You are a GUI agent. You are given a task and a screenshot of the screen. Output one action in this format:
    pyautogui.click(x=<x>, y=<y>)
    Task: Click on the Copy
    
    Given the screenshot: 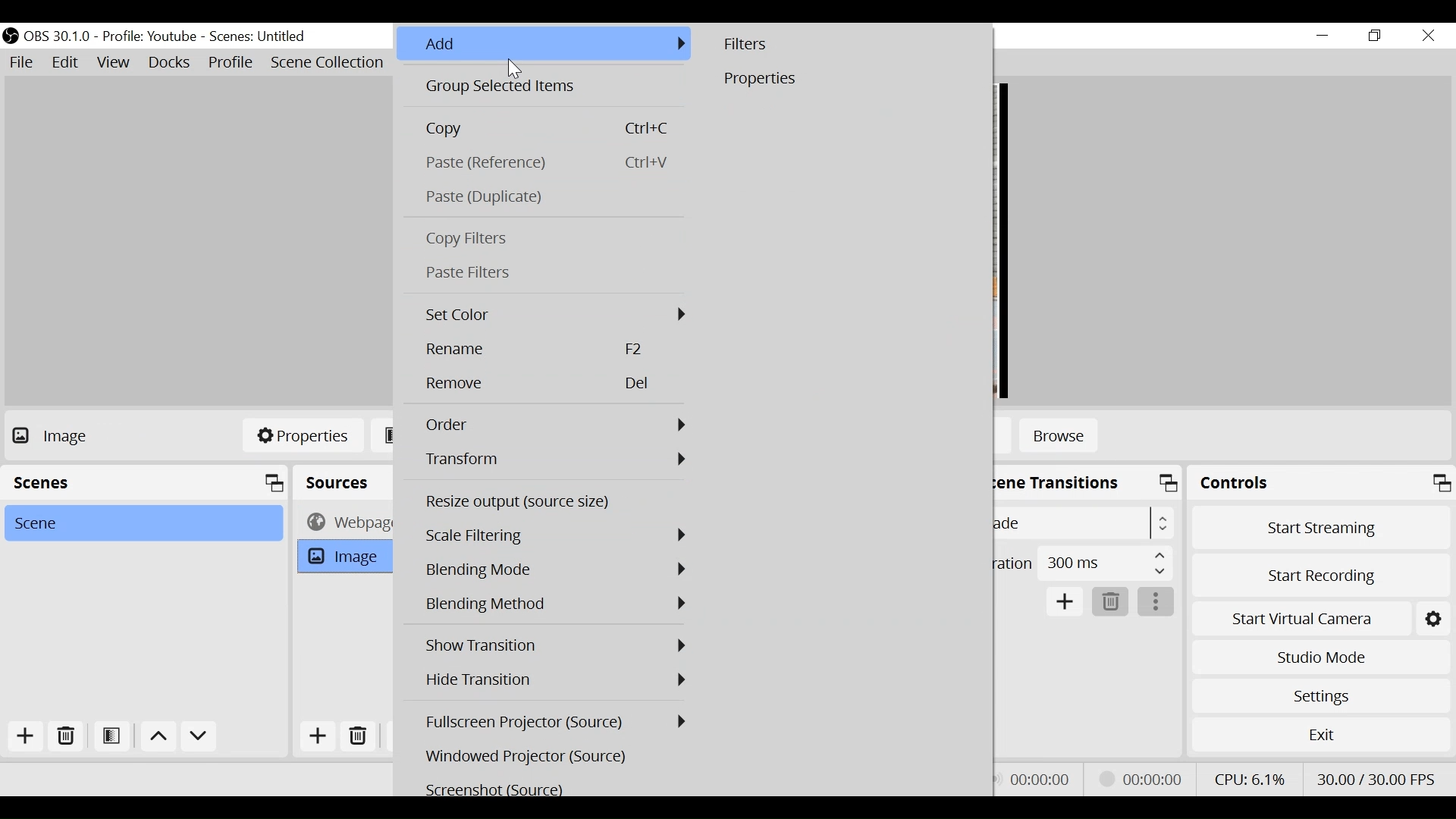 What is the action you would take?
    pyautogui.click(x=544, y=129)
    